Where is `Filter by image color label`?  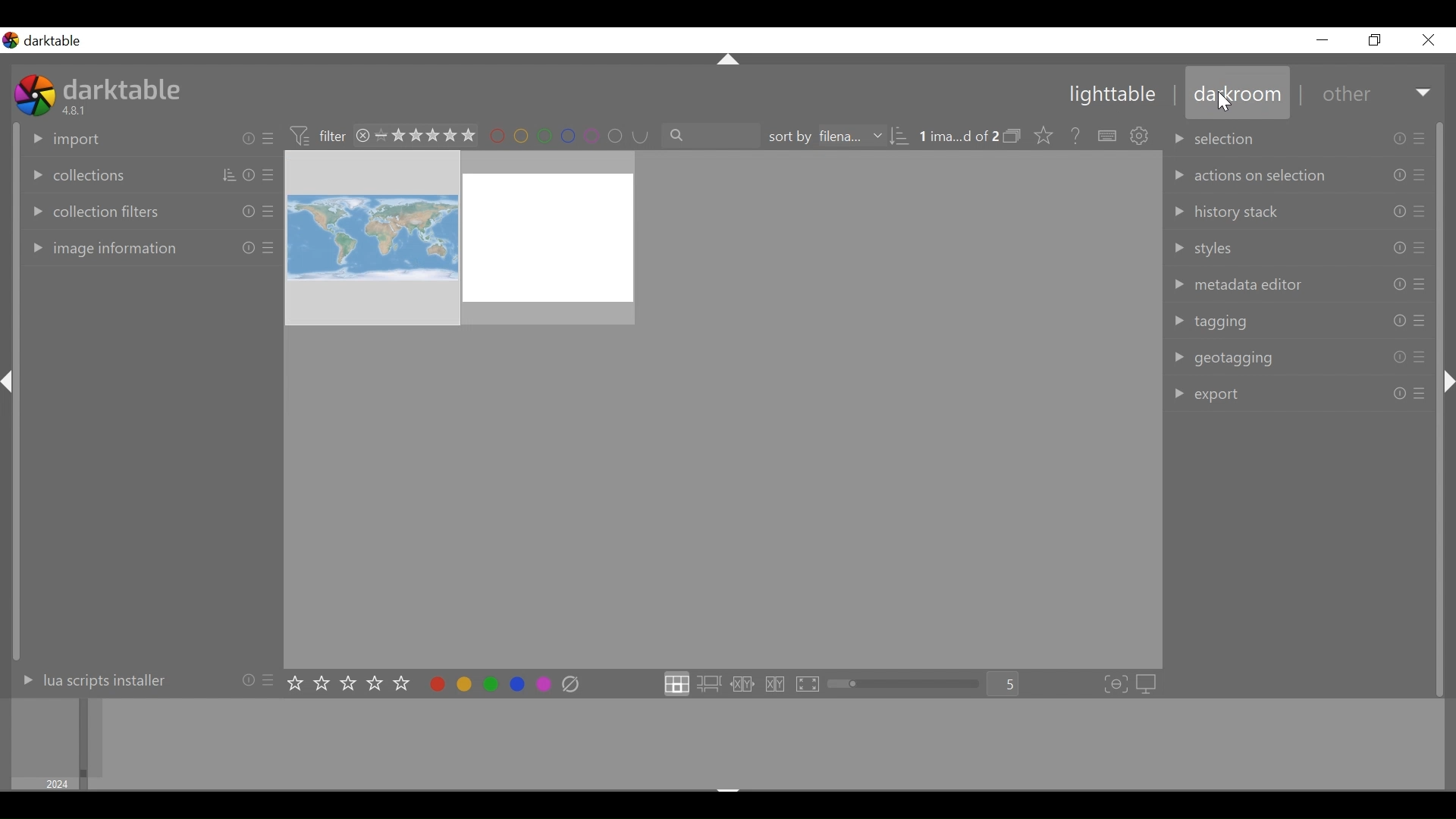 Filter by image color label is located at coordinates (567, 136).